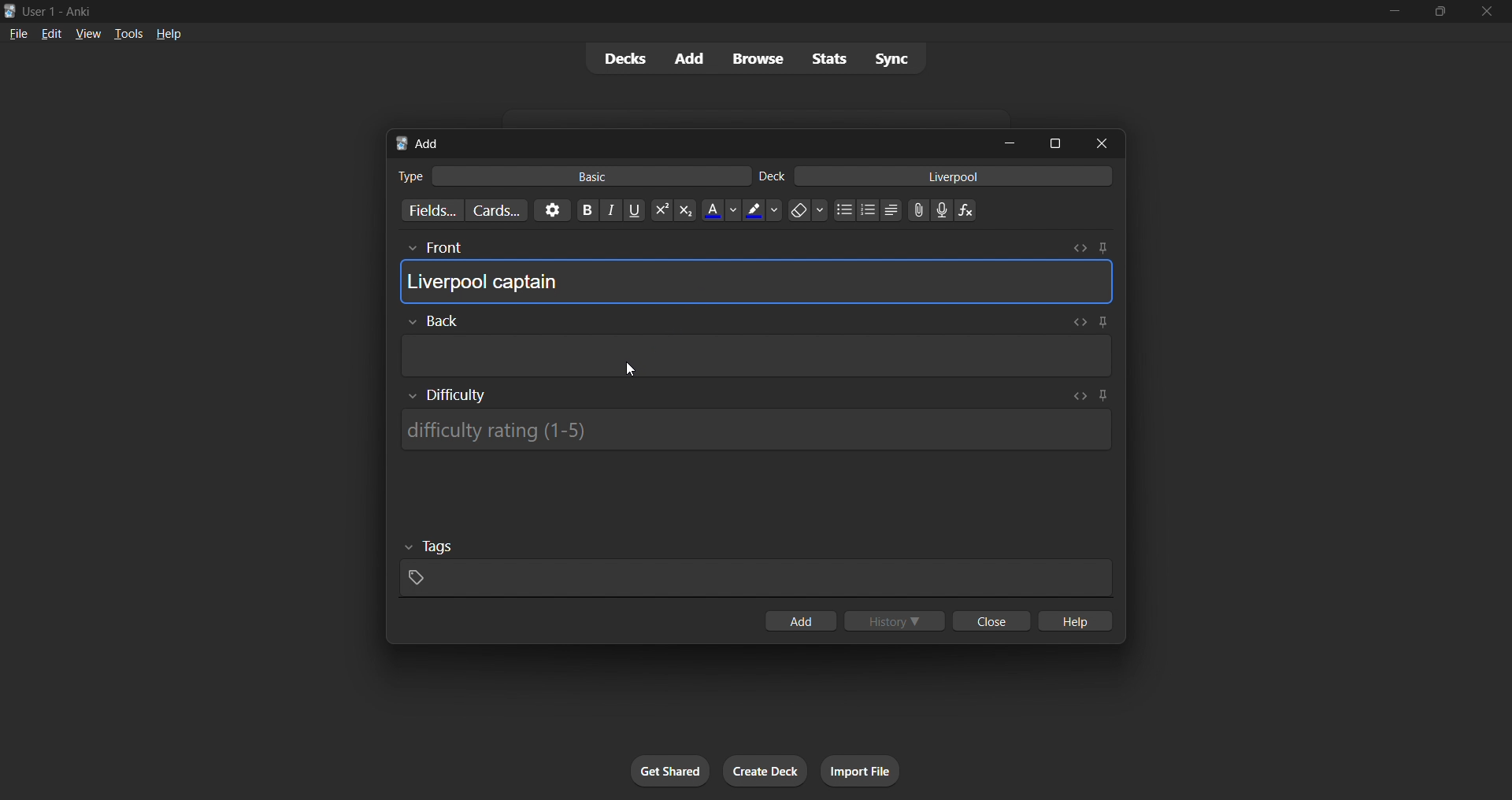 The image size is (1512, 800). I want to click on Italics, so click(611, 210).